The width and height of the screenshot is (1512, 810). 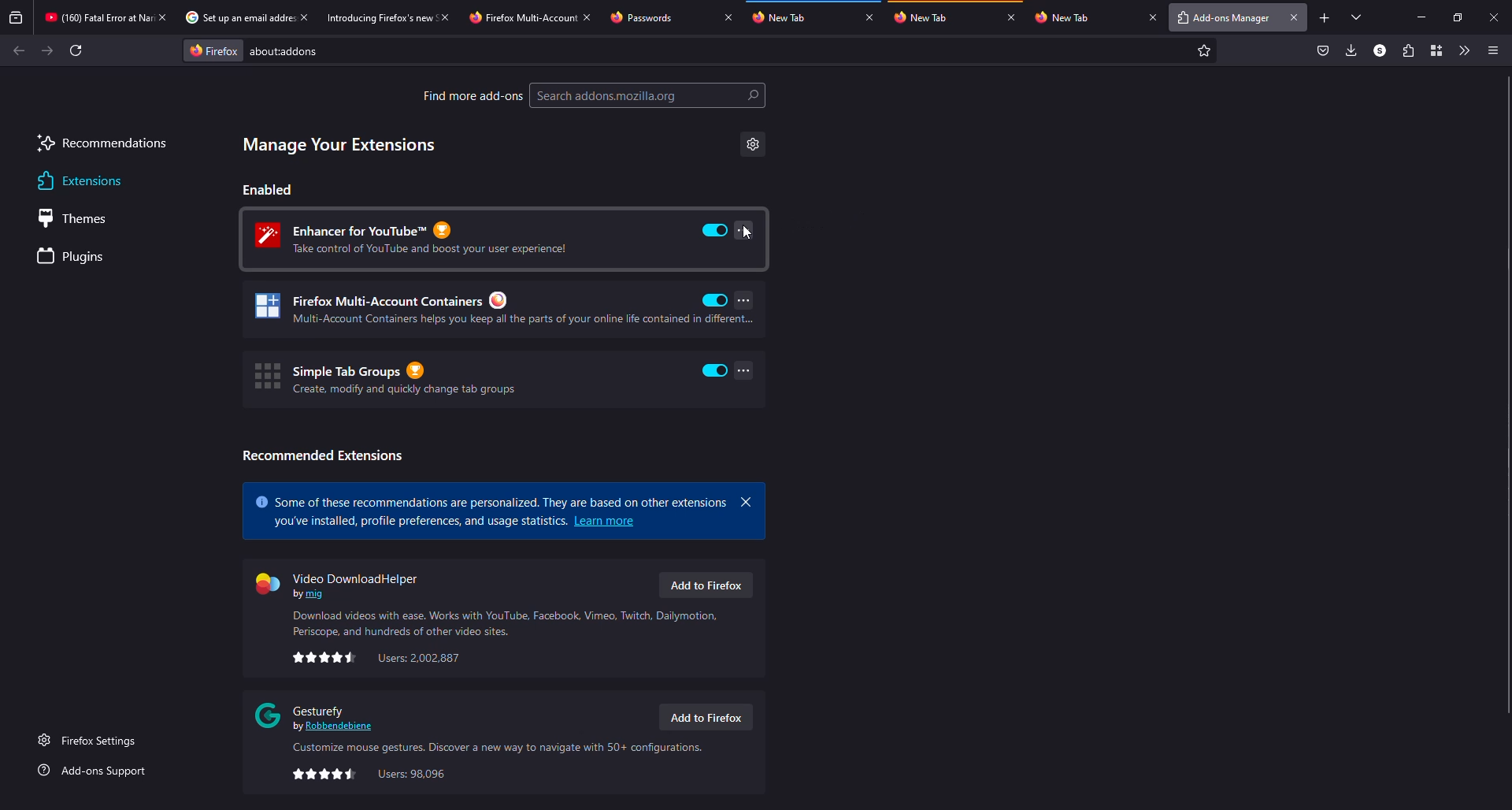 What do you see at coordinates (161, 17) in the screenshot?
I see `Close` at bounding box center [161, 17].